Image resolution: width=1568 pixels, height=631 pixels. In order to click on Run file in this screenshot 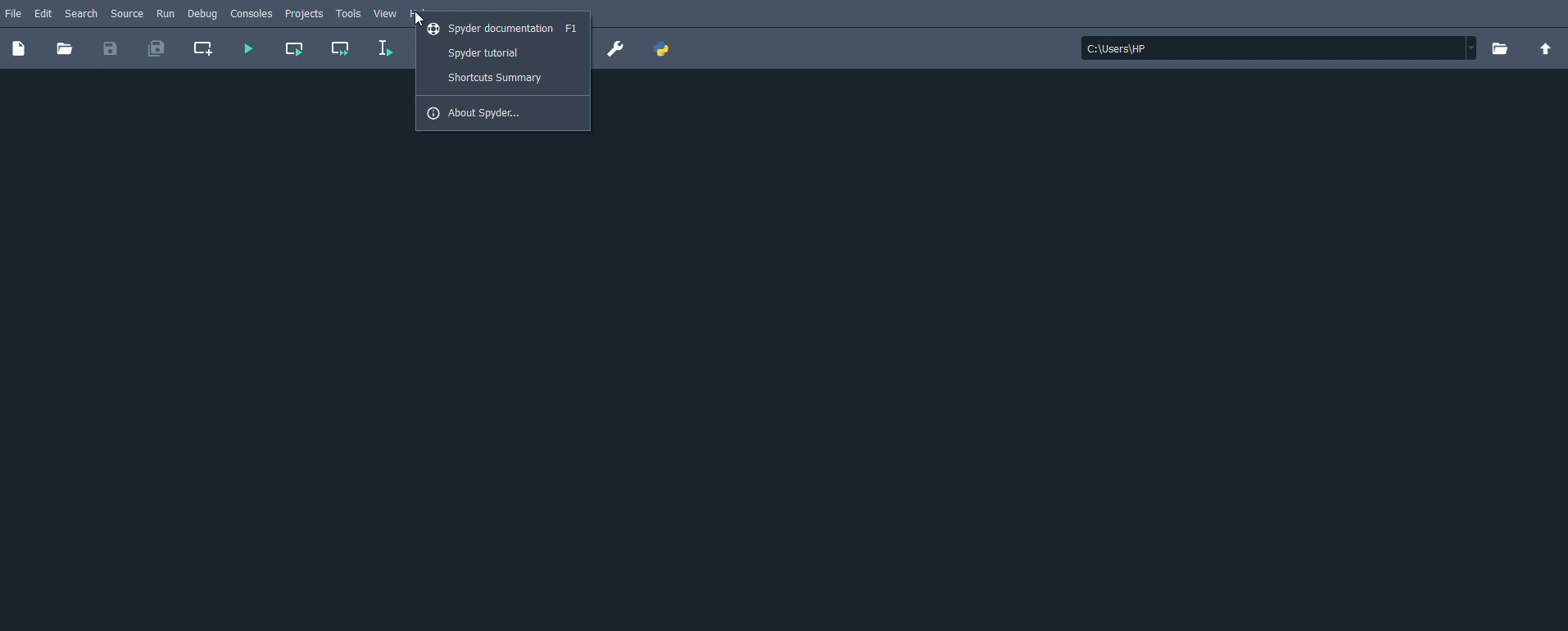, I will do `click(247, 48)`.